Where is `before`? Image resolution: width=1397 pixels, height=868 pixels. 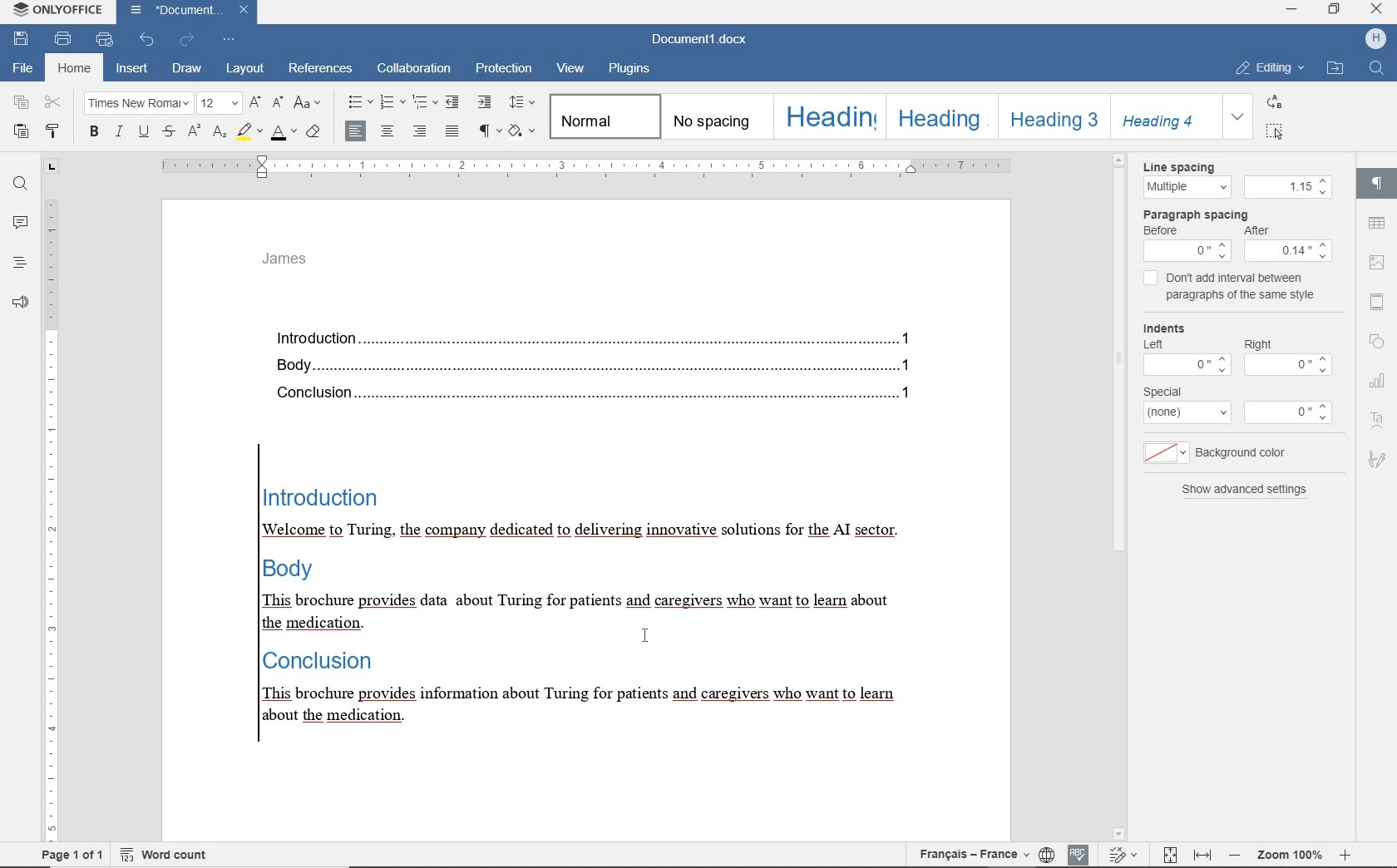
before is located at coordinates (1163, 231).